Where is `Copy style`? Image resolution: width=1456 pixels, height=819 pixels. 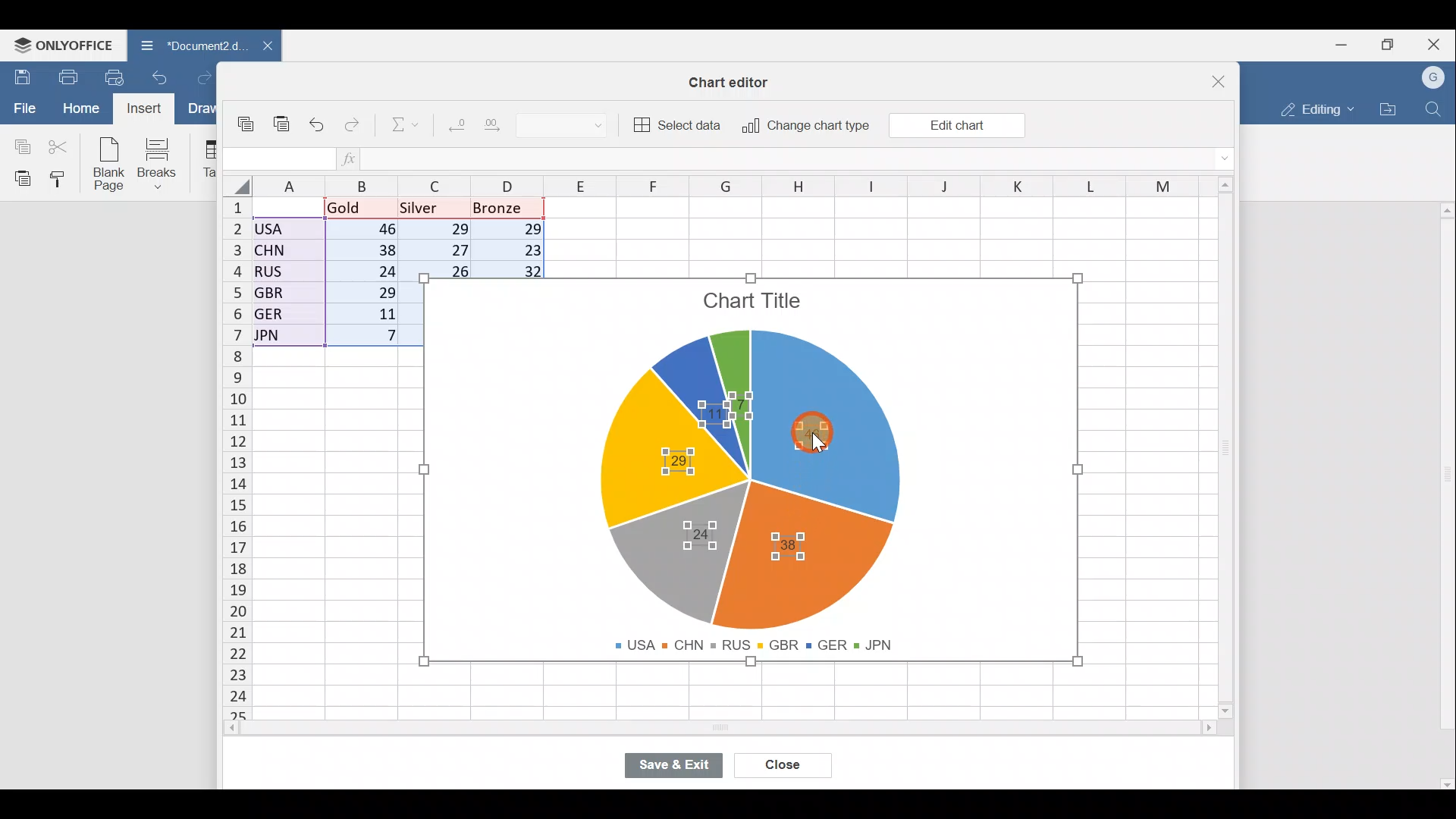 Copy style is located at coordinates (64, 178).